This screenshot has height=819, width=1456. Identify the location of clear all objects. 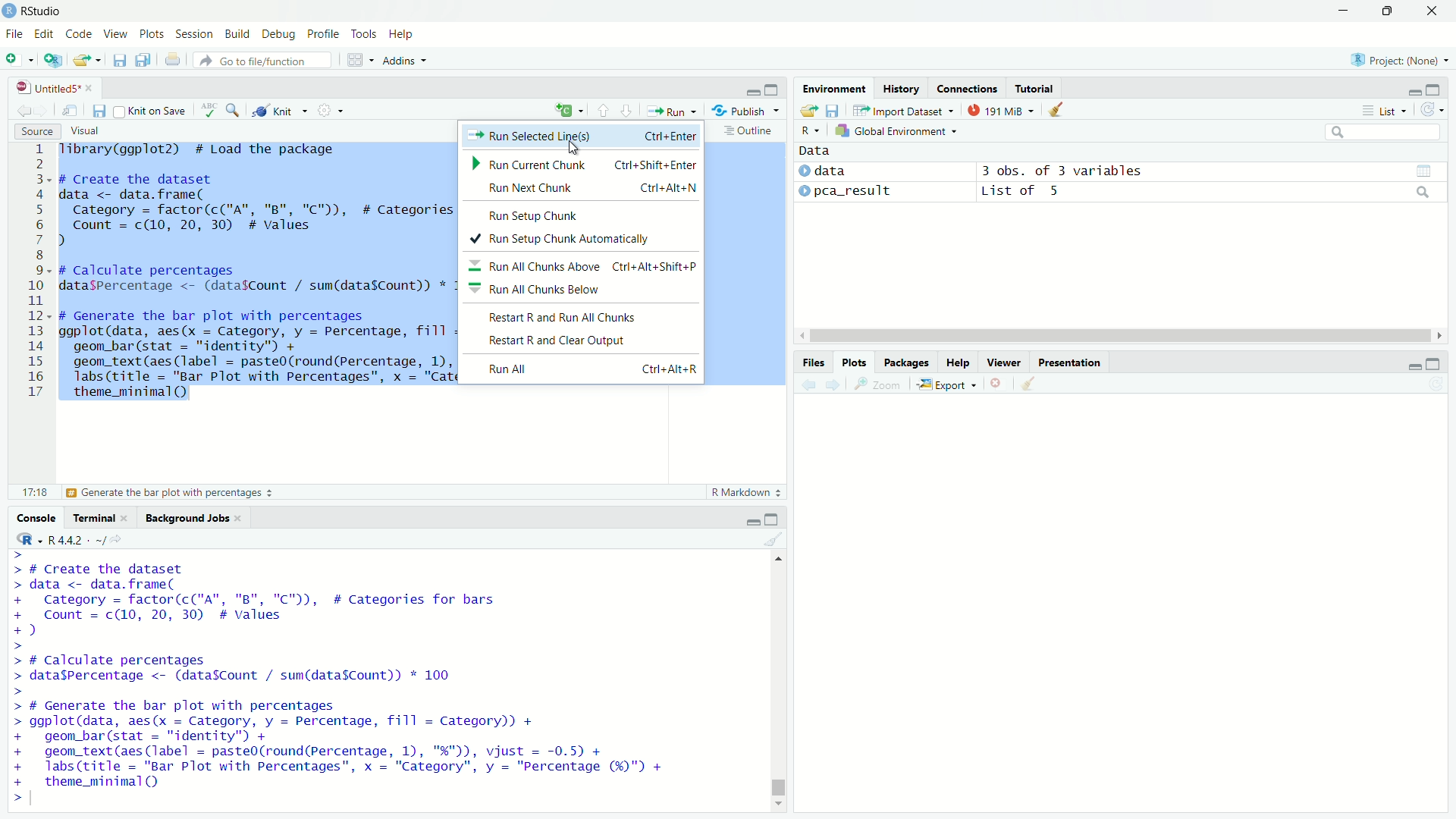
(1058, 110).